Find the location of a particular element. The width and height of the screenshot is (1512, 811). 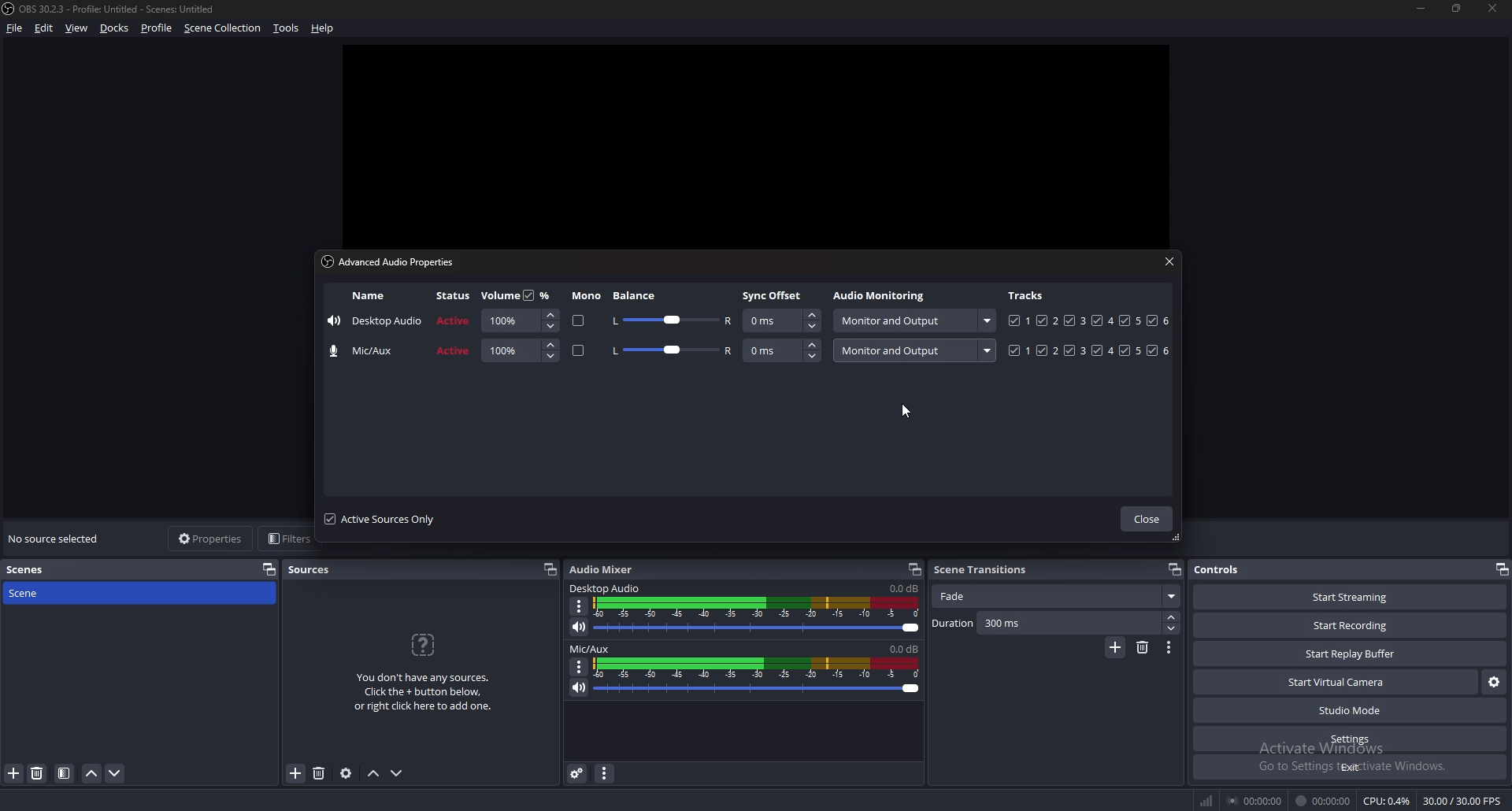

move scene up is located at coordinates (91, 773).